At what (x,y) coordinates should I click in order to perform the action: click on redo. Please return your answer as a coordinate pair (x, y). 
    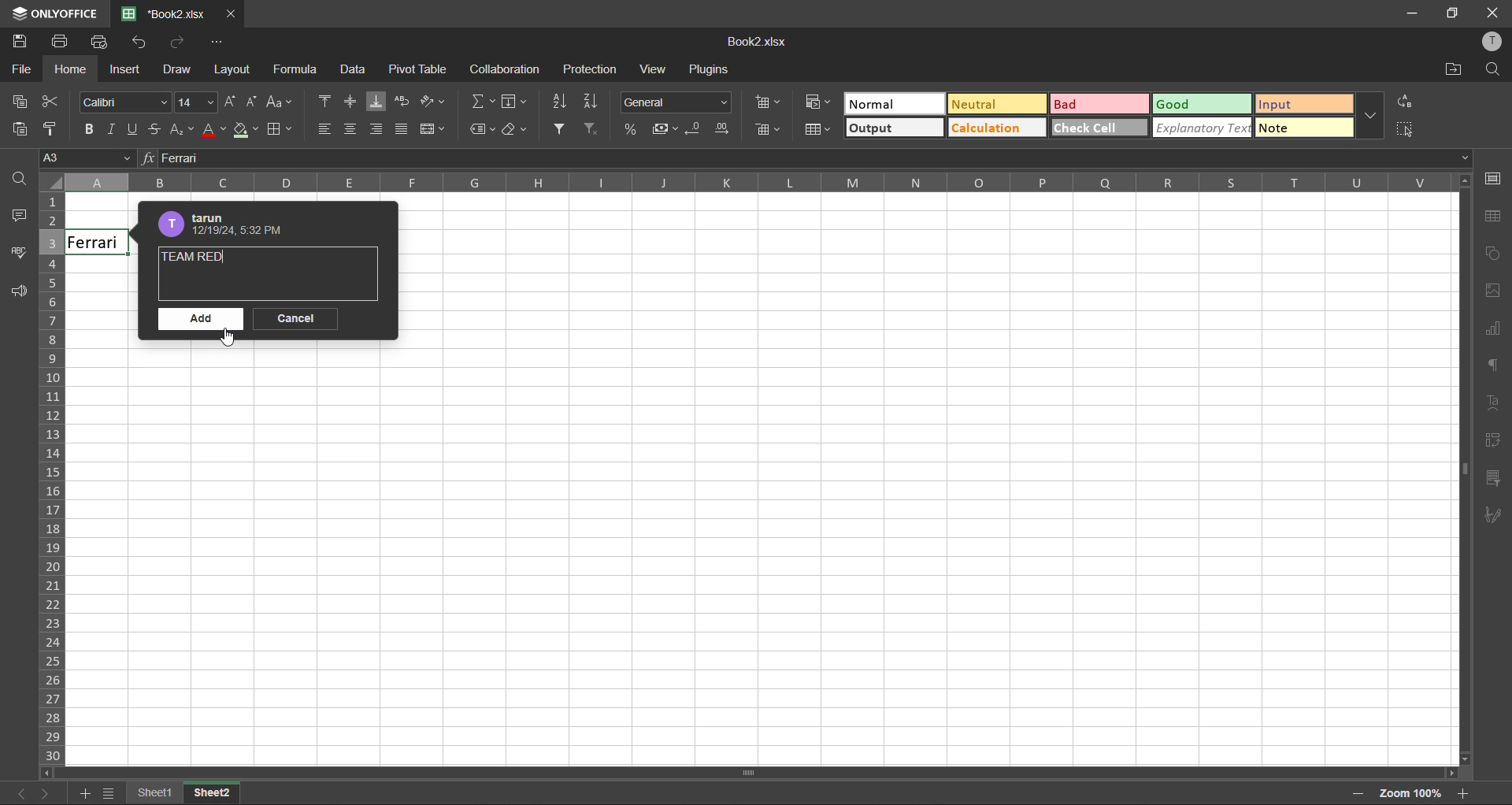
    Looking at the image, I should click on (180, 43).